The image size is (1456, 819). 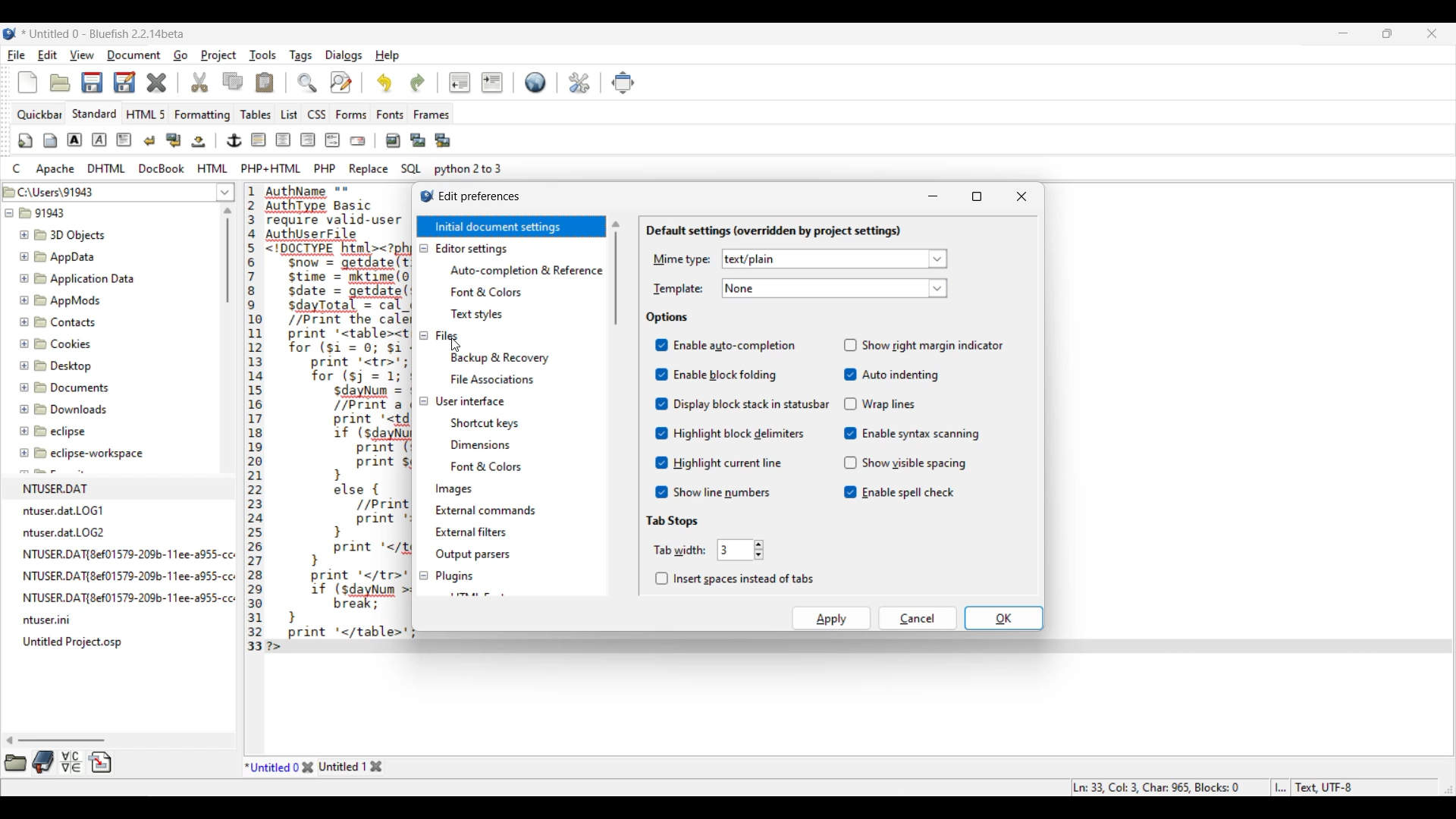 I want to click on Dialogs menu, so click(x=344, y=56).